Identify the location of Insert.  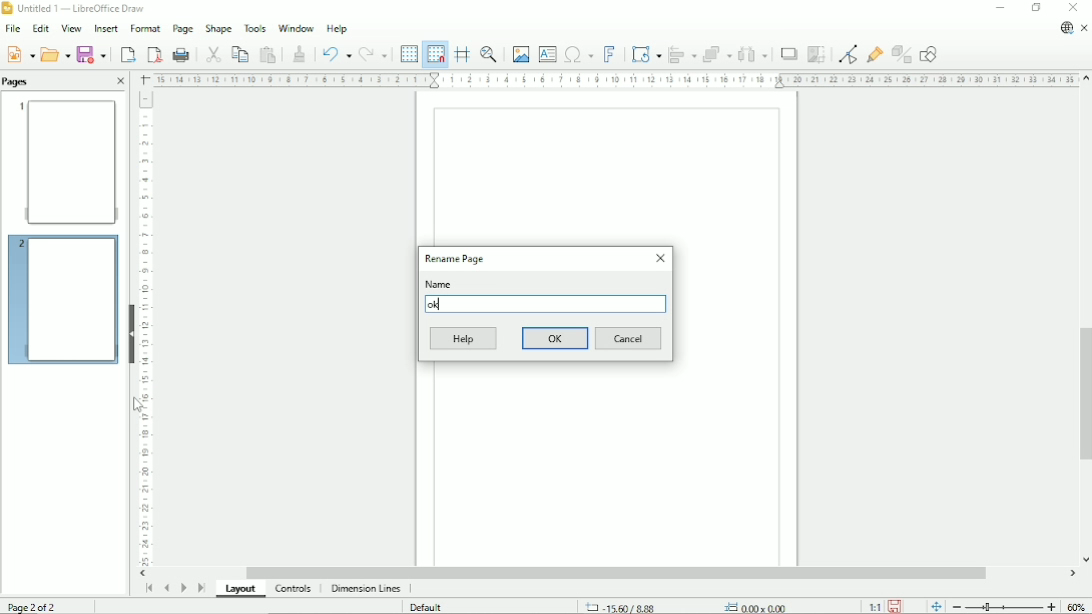
(104, 29).